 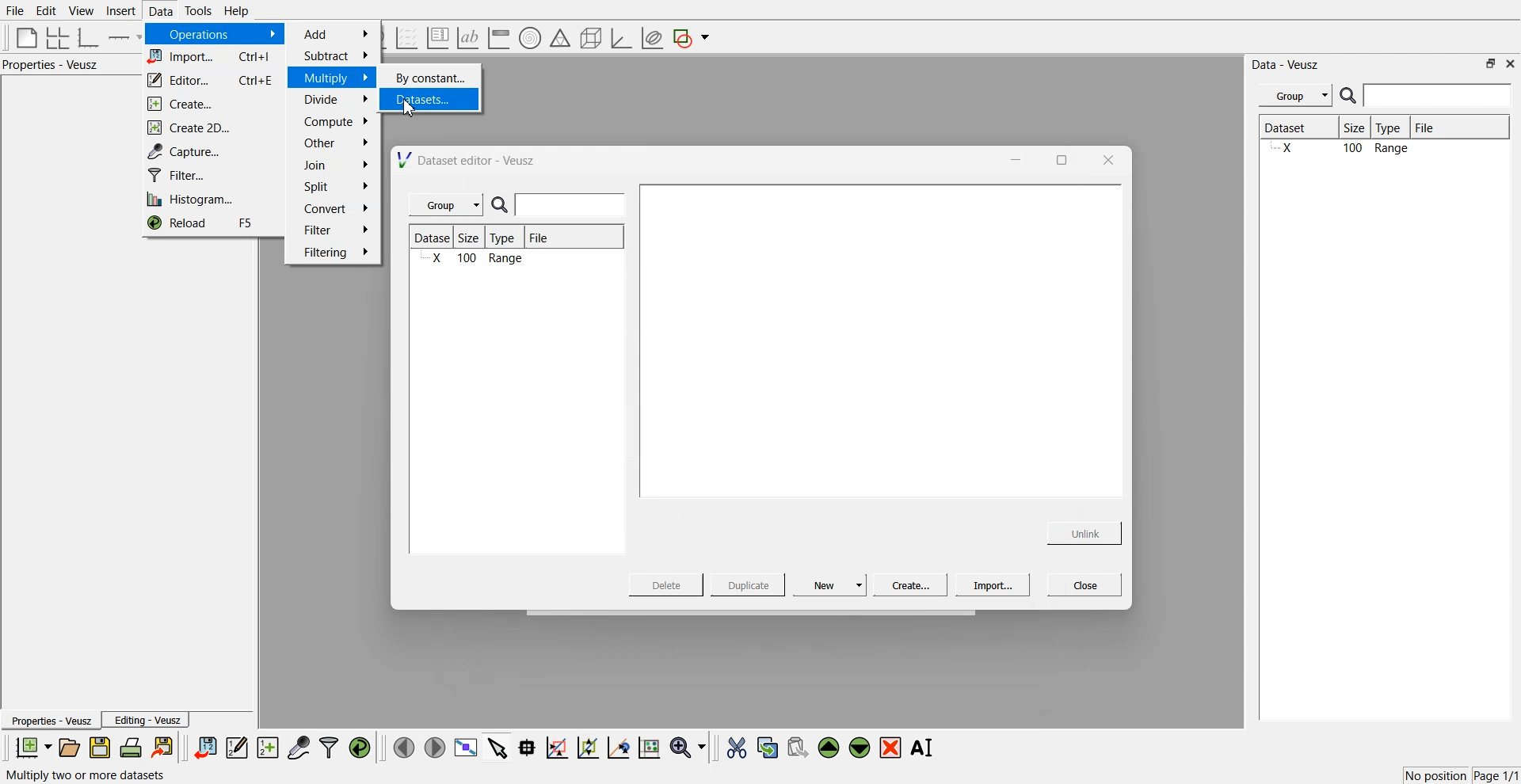 I want to click on move  the selected widgets down, so click(x=860, y=746).